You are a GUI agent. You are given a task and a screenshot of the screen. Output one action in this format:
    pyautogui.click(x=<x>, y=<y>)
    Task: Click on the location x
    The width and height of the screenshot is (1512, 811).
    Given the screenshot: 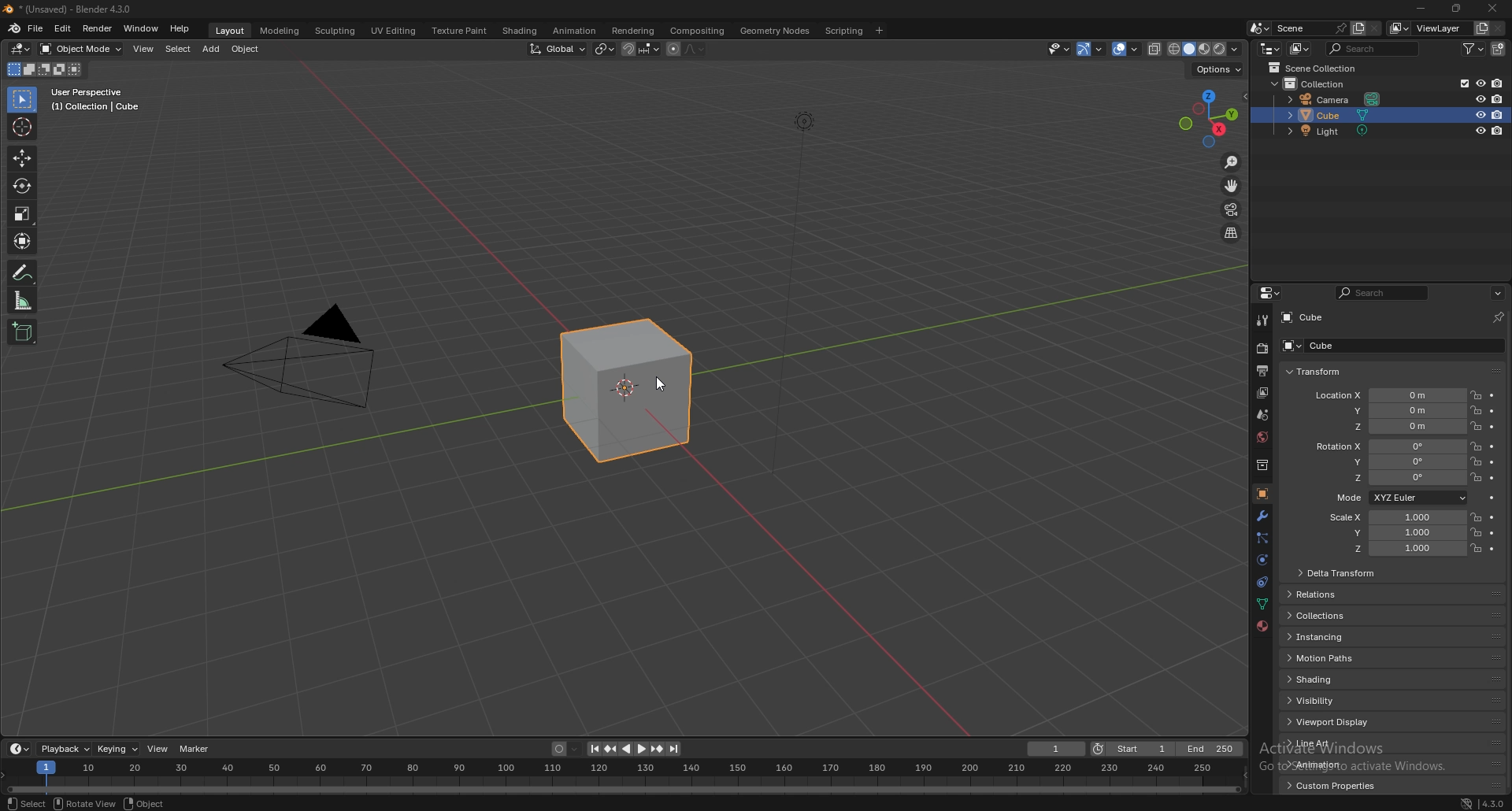 What is the action you would take?
    pyautogui.click(x=1388, y=396)
    